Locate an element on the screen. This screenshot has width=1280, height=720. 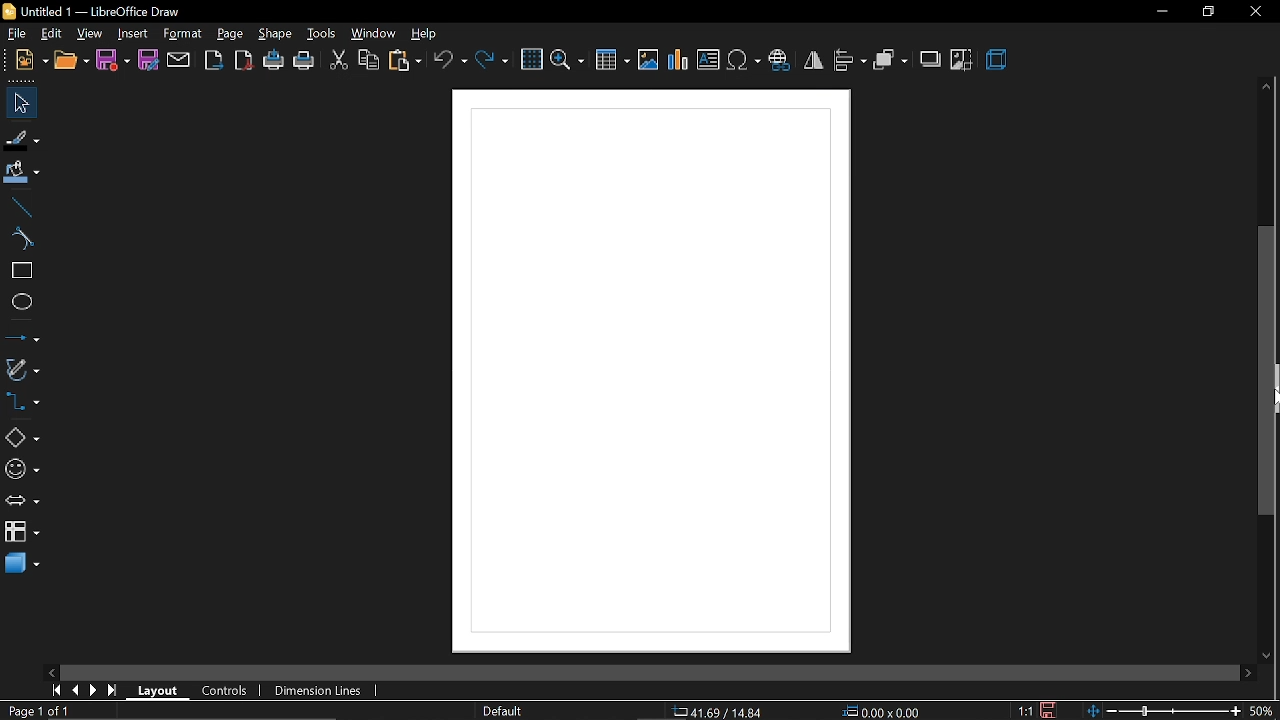
save is located at coordinates (114, 62).